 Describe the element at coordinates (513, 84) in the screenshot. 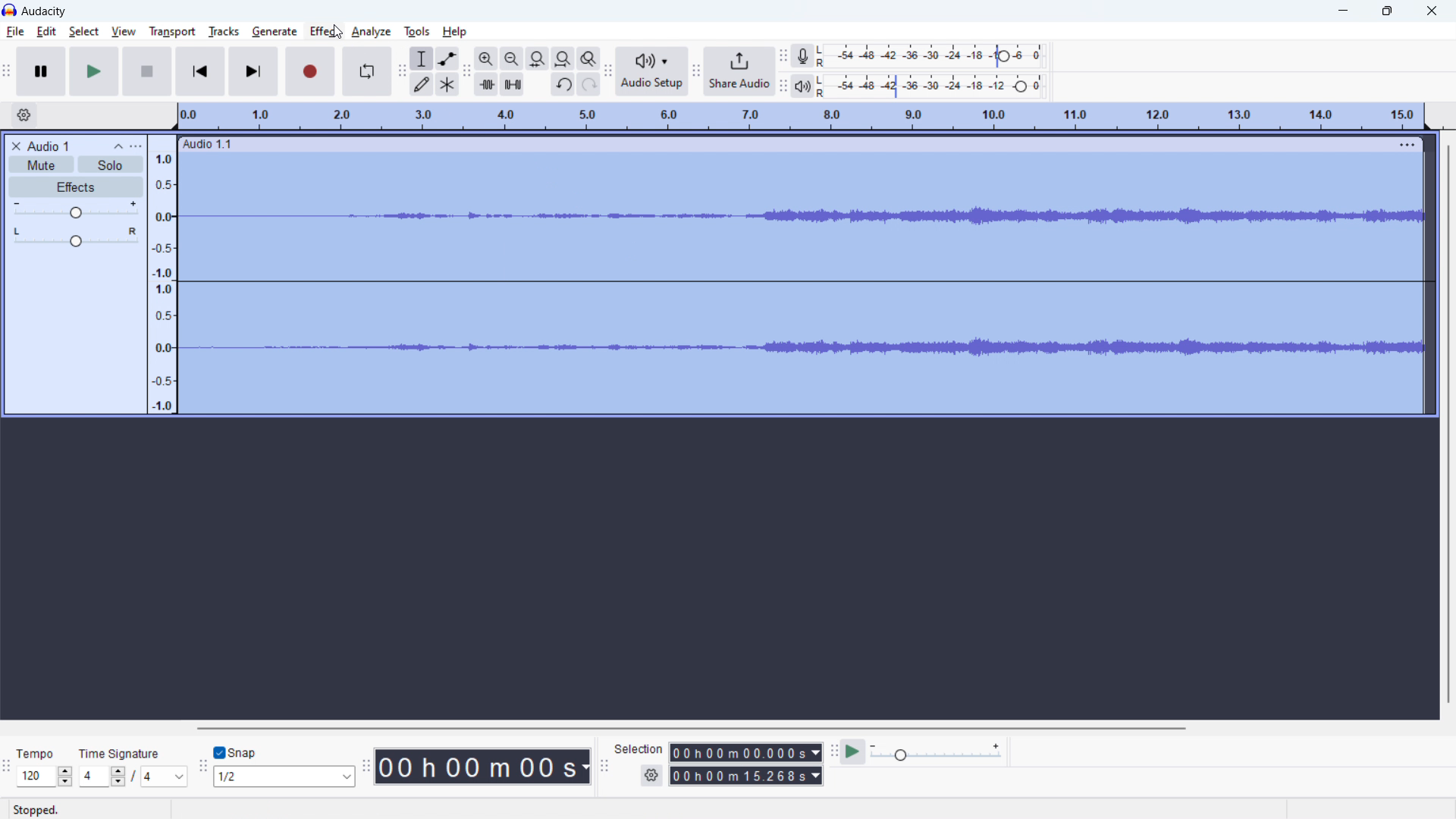

I see `silence audio selection` at that location.